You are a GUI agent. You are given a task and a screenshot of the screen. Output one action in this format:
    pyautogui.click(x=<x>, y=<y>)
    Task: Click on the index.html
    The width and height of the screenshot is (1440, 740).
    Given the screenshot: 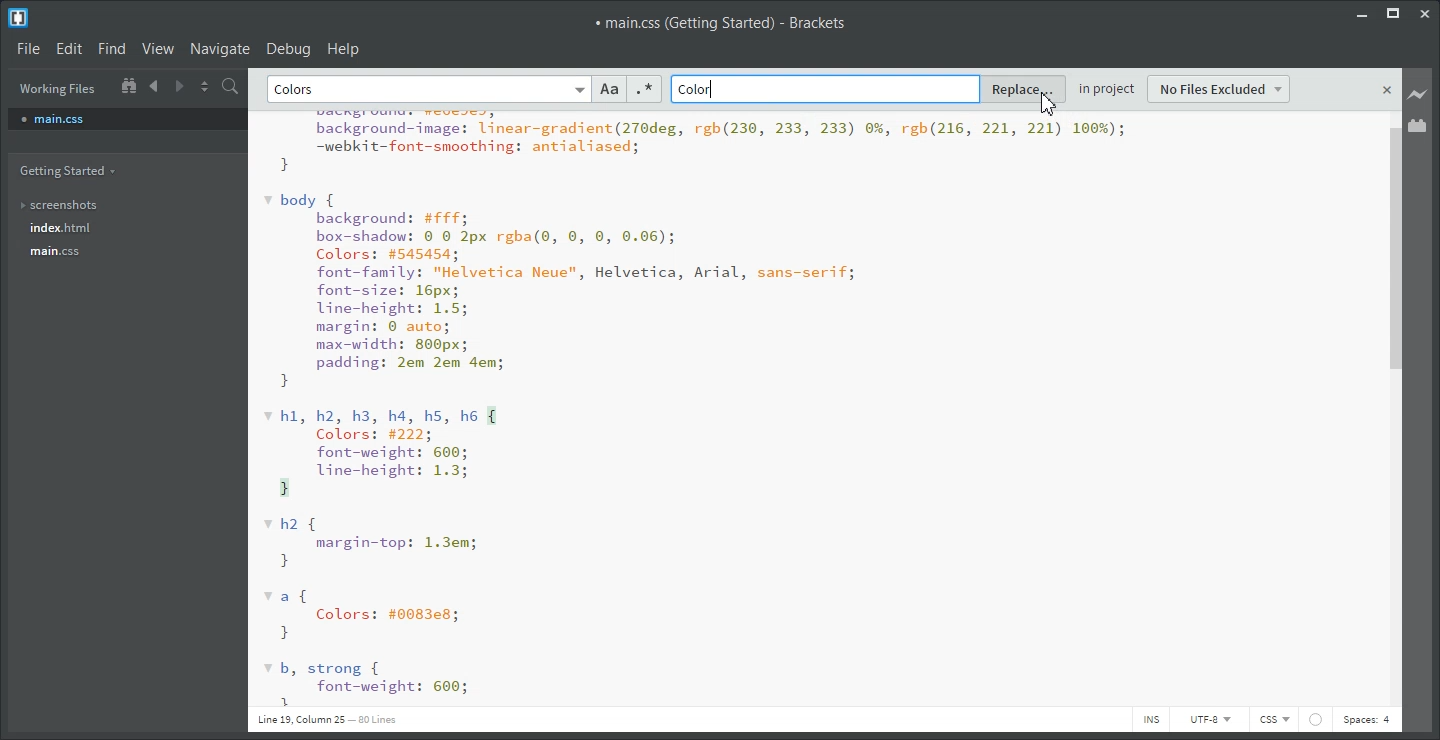 What is the action you would take?
    pyautogui.click(x=71, y=228)
    